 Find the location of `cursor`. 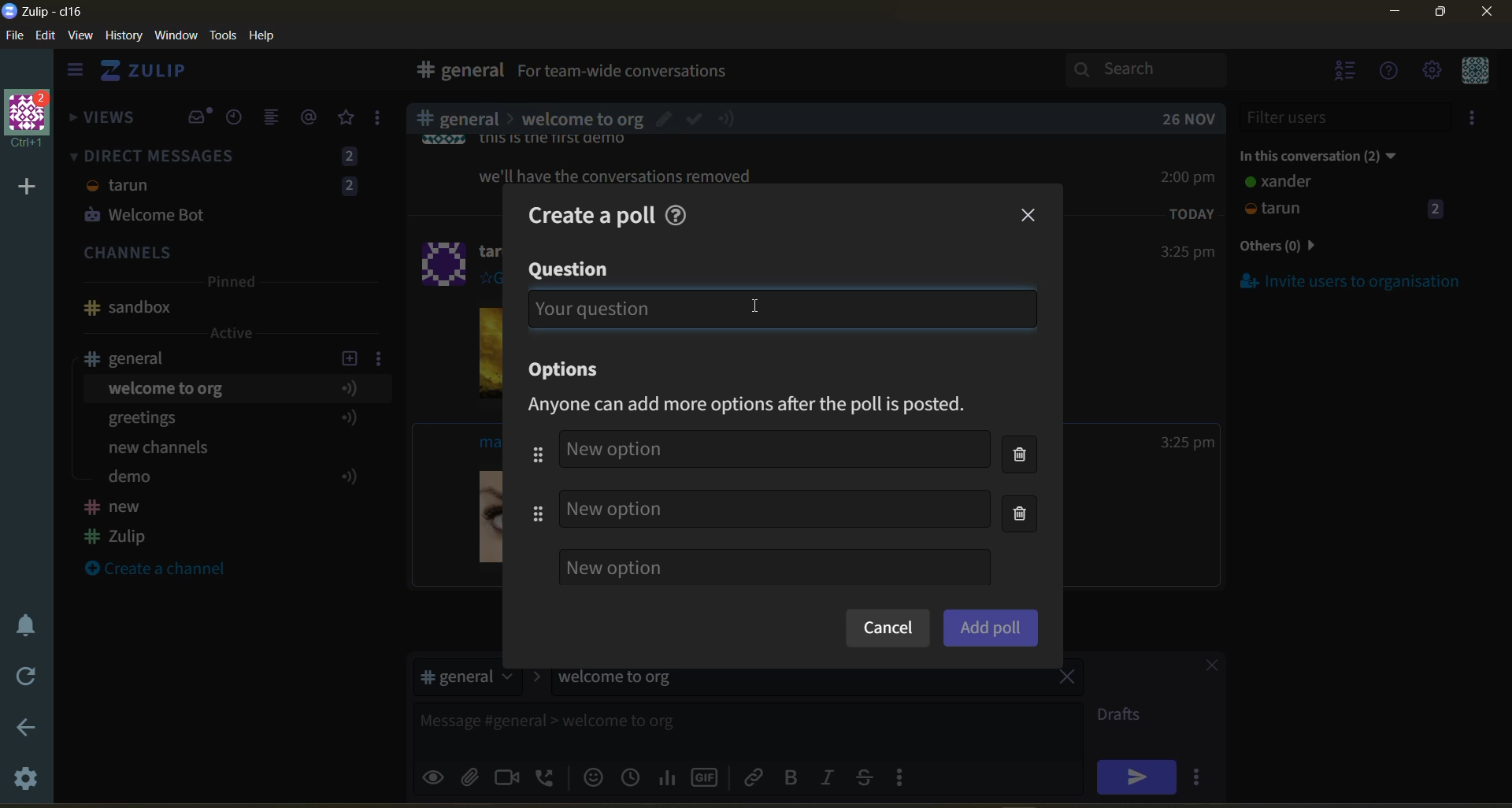

cursor is located at coordinates (758, 309).